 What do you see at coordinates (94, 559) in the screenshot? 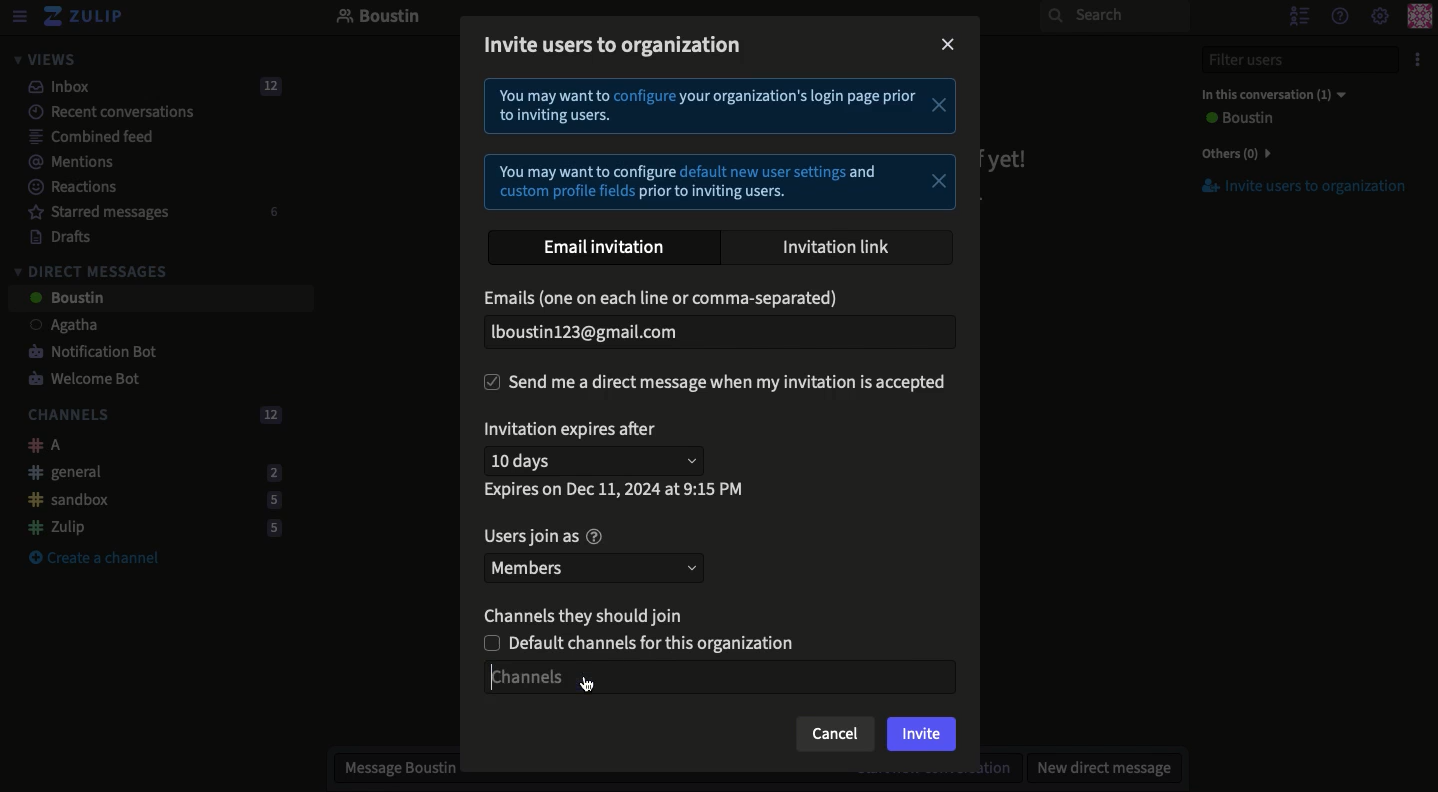
I see `Create a channel` at bounding box center [94, 559].